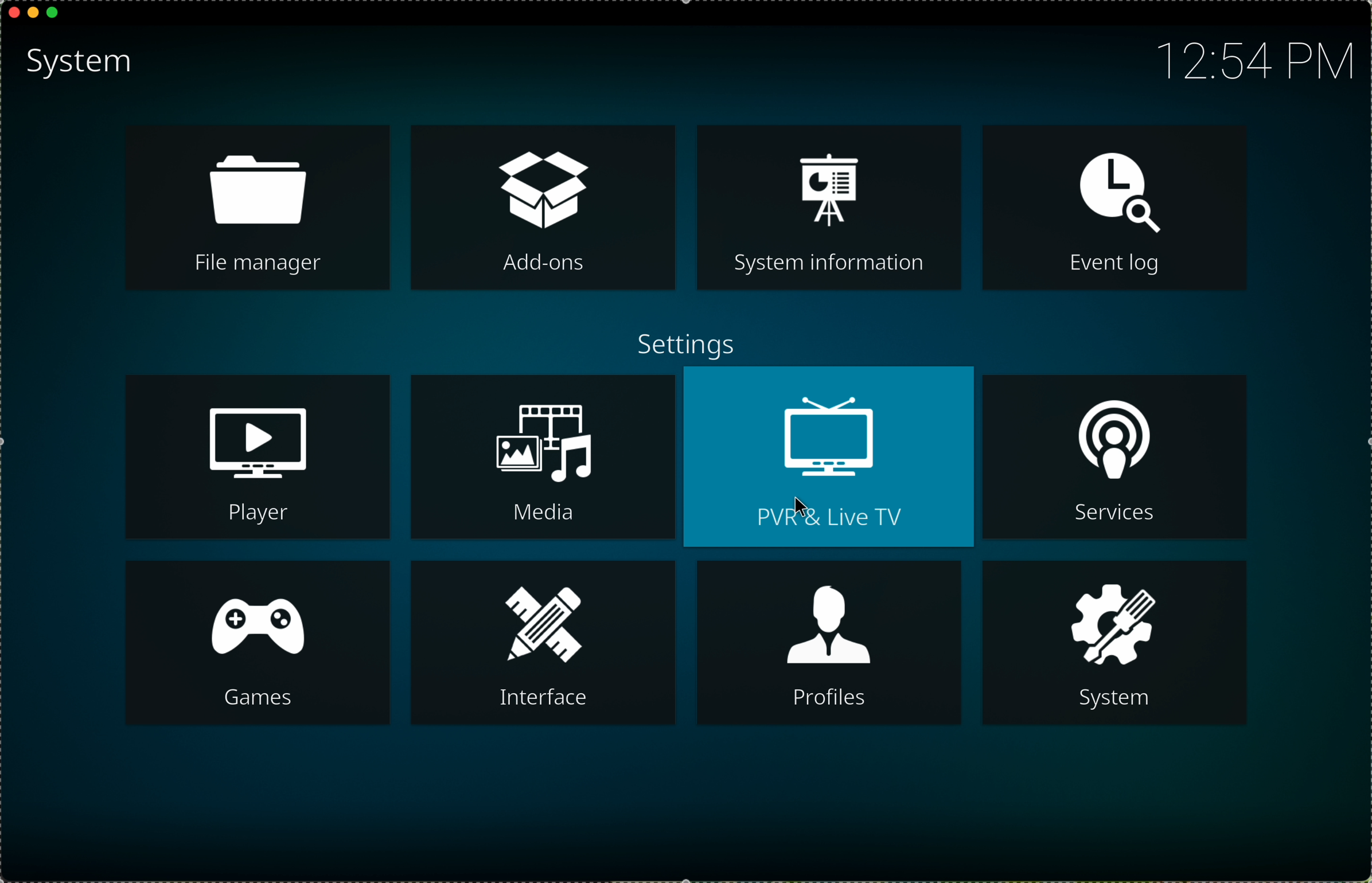 This screenshot has width=1372, height=883. I want to click on click on PVR & Live TV option, so click(828, 460).